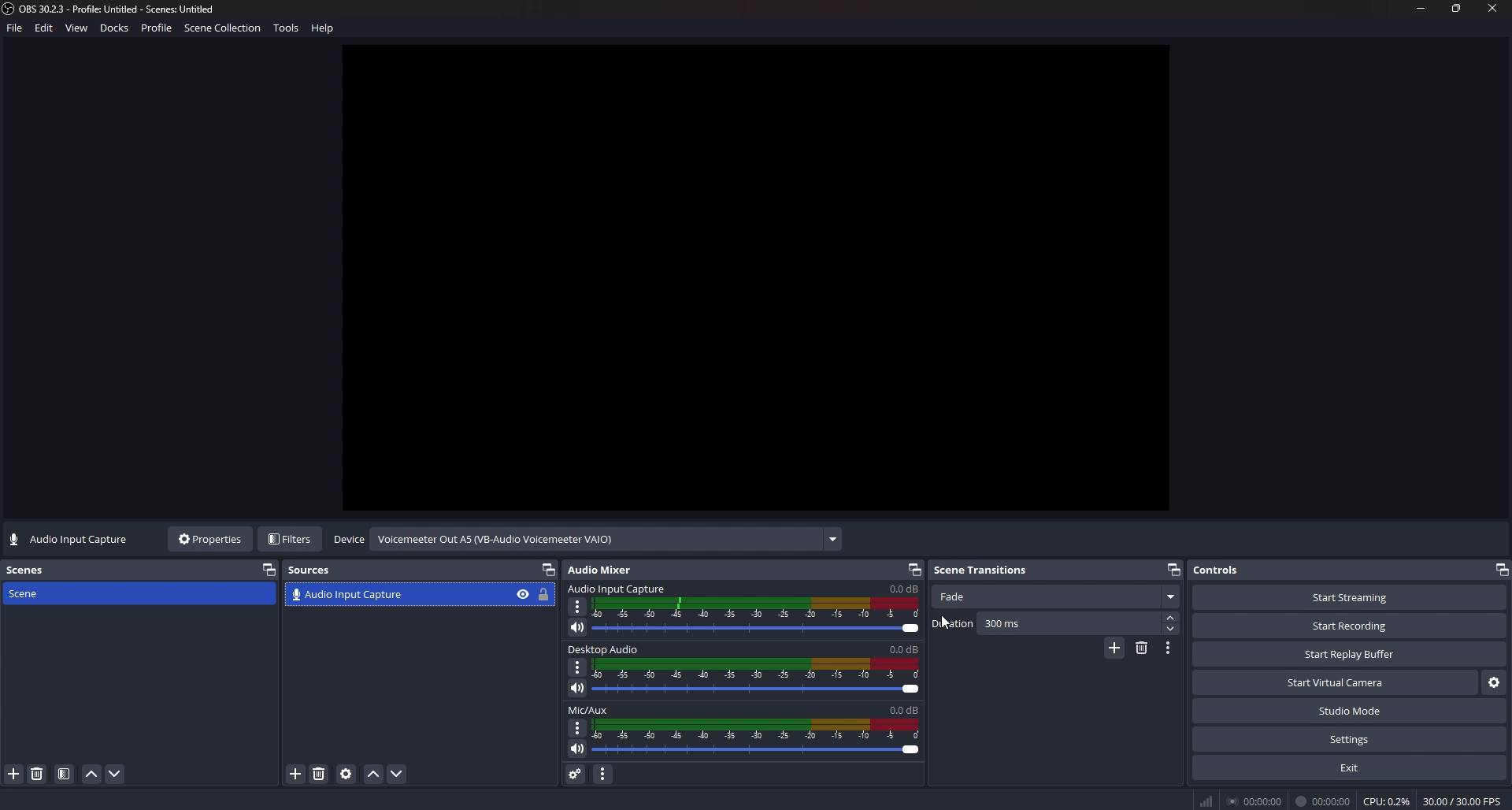  Describe the element at coordinates (317, 570) in the screenshot. I see `sources` at that location.